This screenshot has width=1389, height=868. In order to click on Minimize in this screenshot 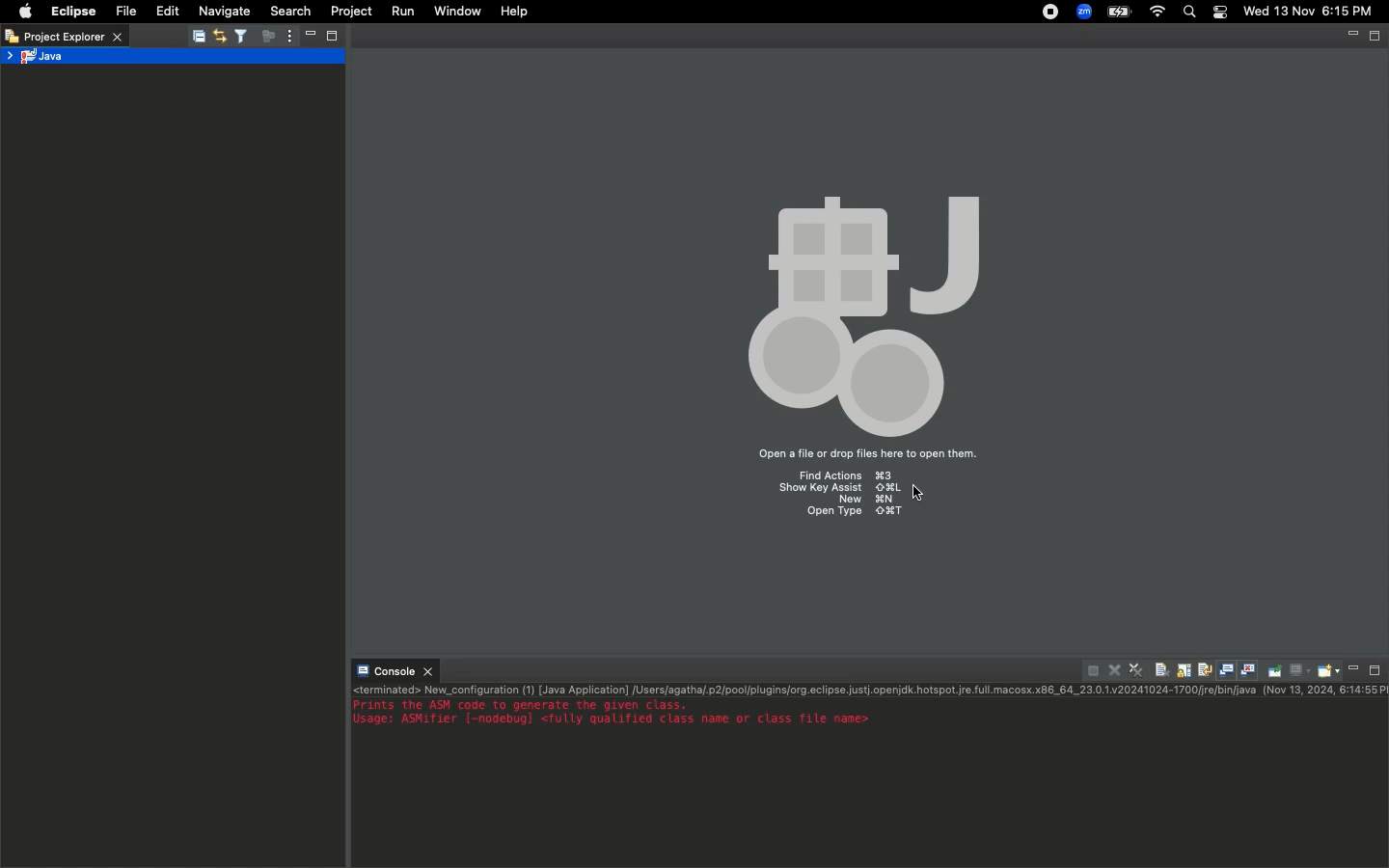, I will do `click(1355, 671)`.